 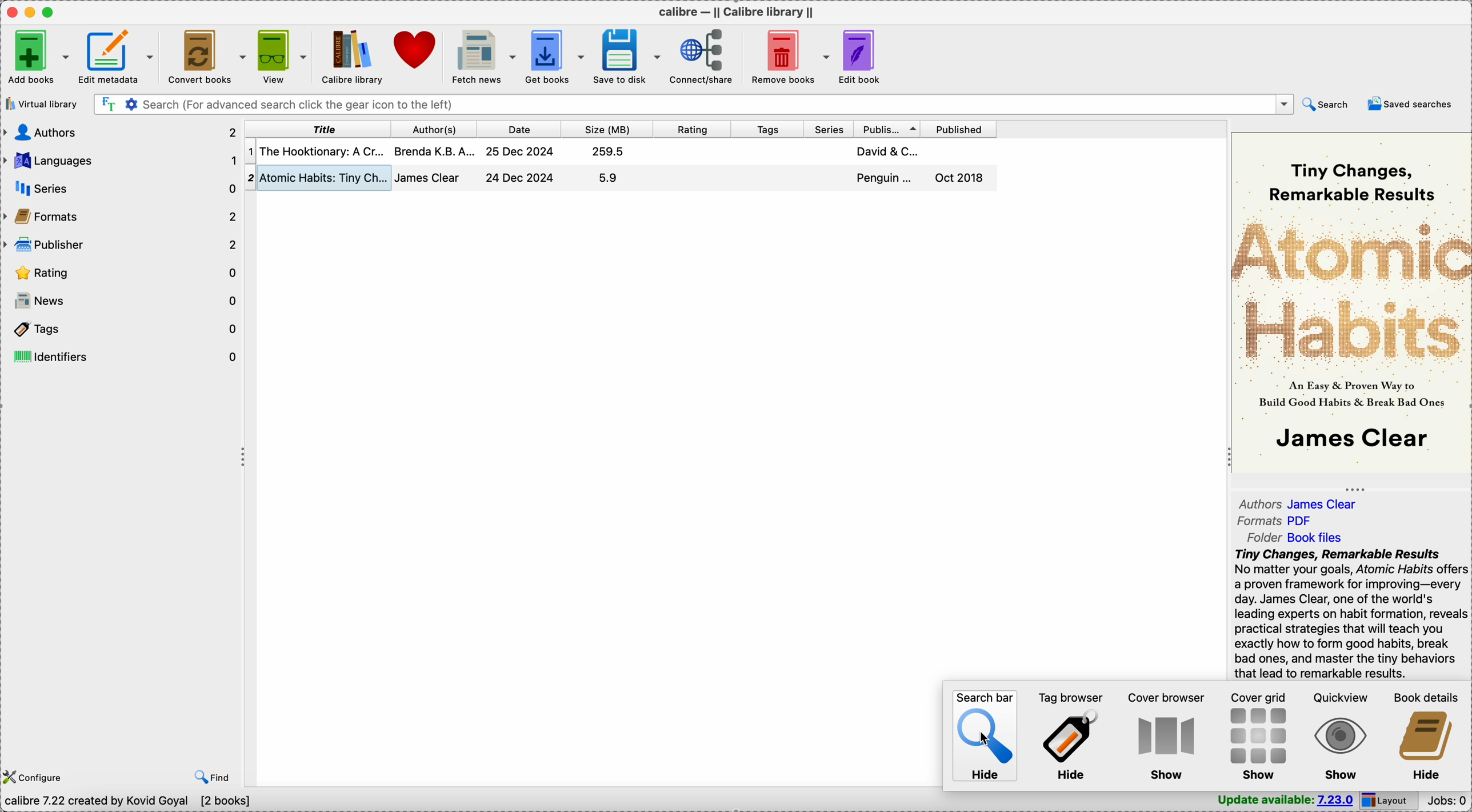 I want to click on close Calibre, so click(x=10, y=11).